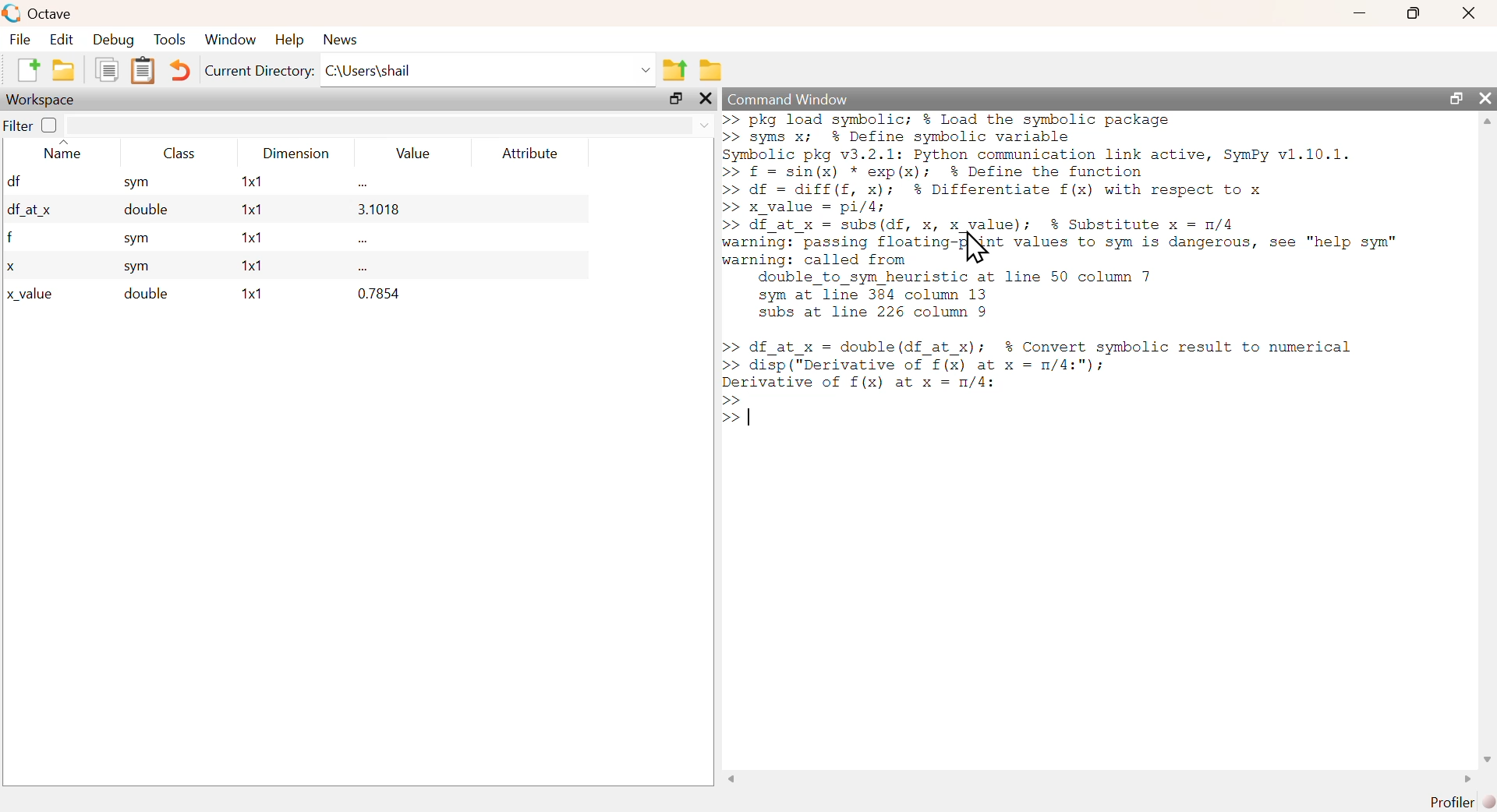 Image resolution: width=1497 pixels, height=812 pixels. Describe the element at coordinates (140, 212) in the screenshot. I see `double` at that location.